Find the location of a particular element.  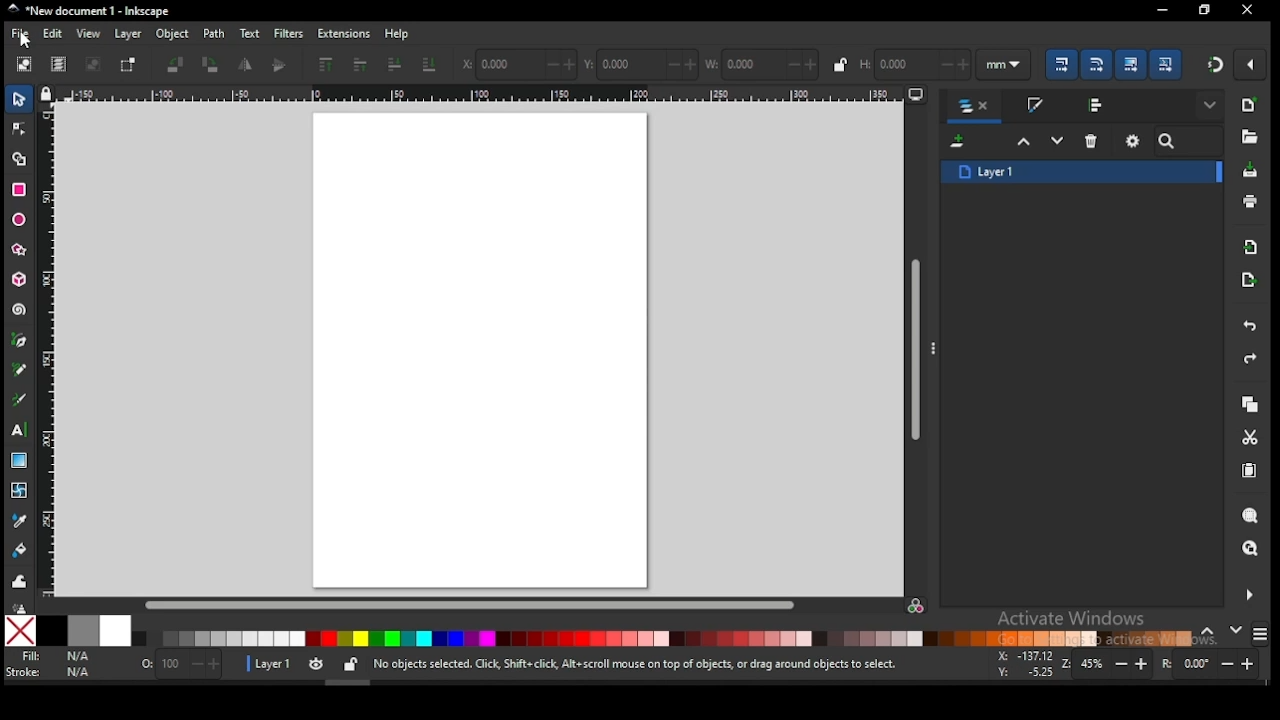

move patterns along with objects is located at coordinates (1165, 63).